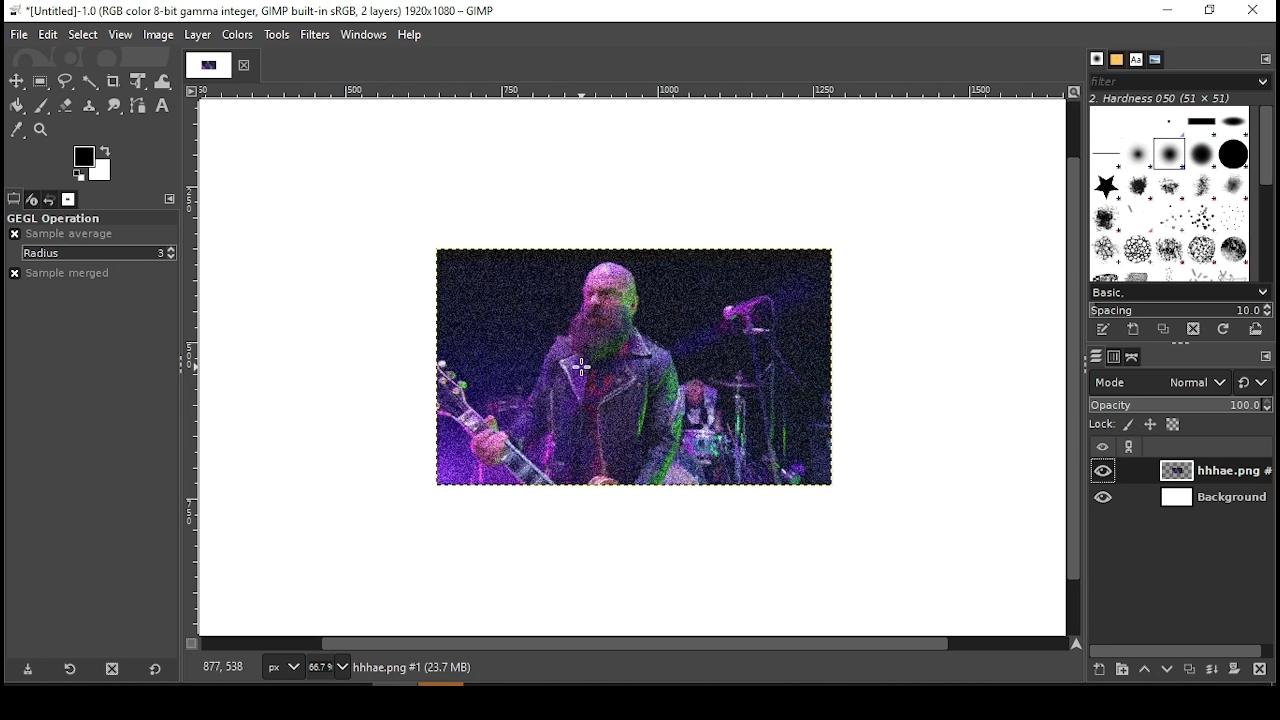 The height and width of the screenshot is (720, 1280). What do you see at coordinates (1126, 425) in the screenshot?
I see `lock pixels` at bounding box center [1126, 425].